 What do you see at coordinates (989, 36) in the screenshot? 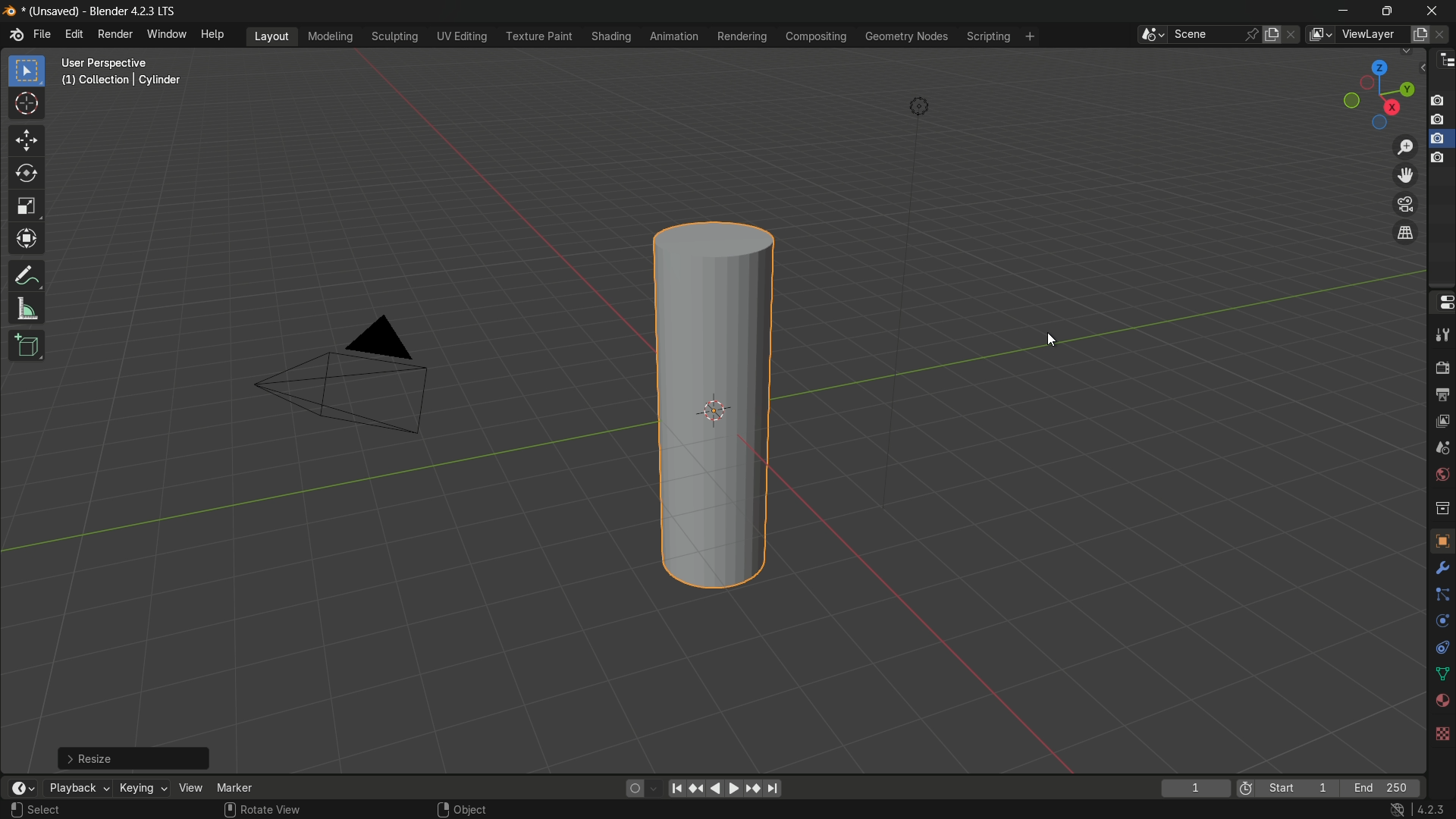
I see `scripting` at bounding box center [989, 36].